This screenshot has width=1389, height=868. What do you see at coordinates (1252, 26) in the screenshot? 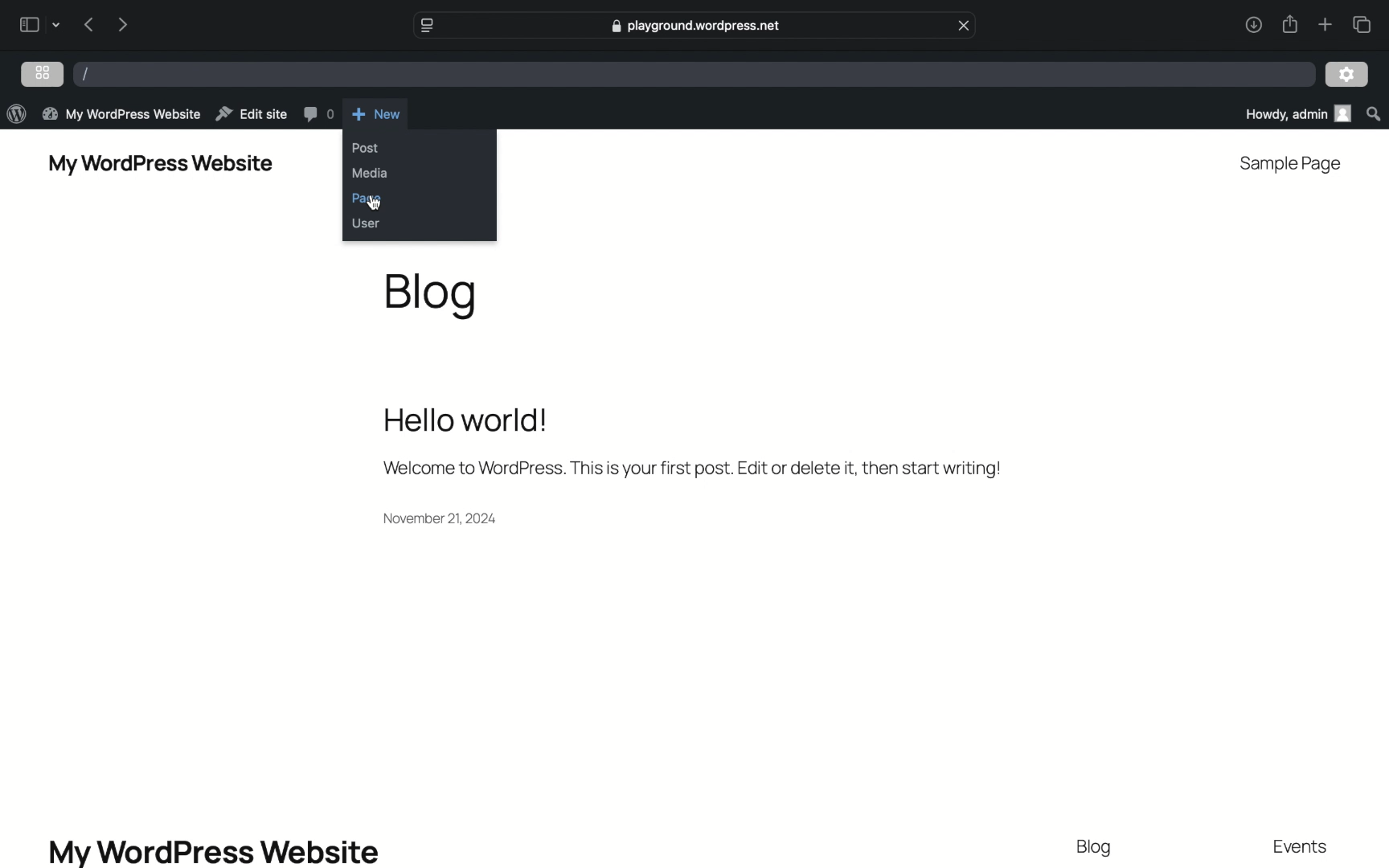
I see `share` at bounding box center [1252, 26].